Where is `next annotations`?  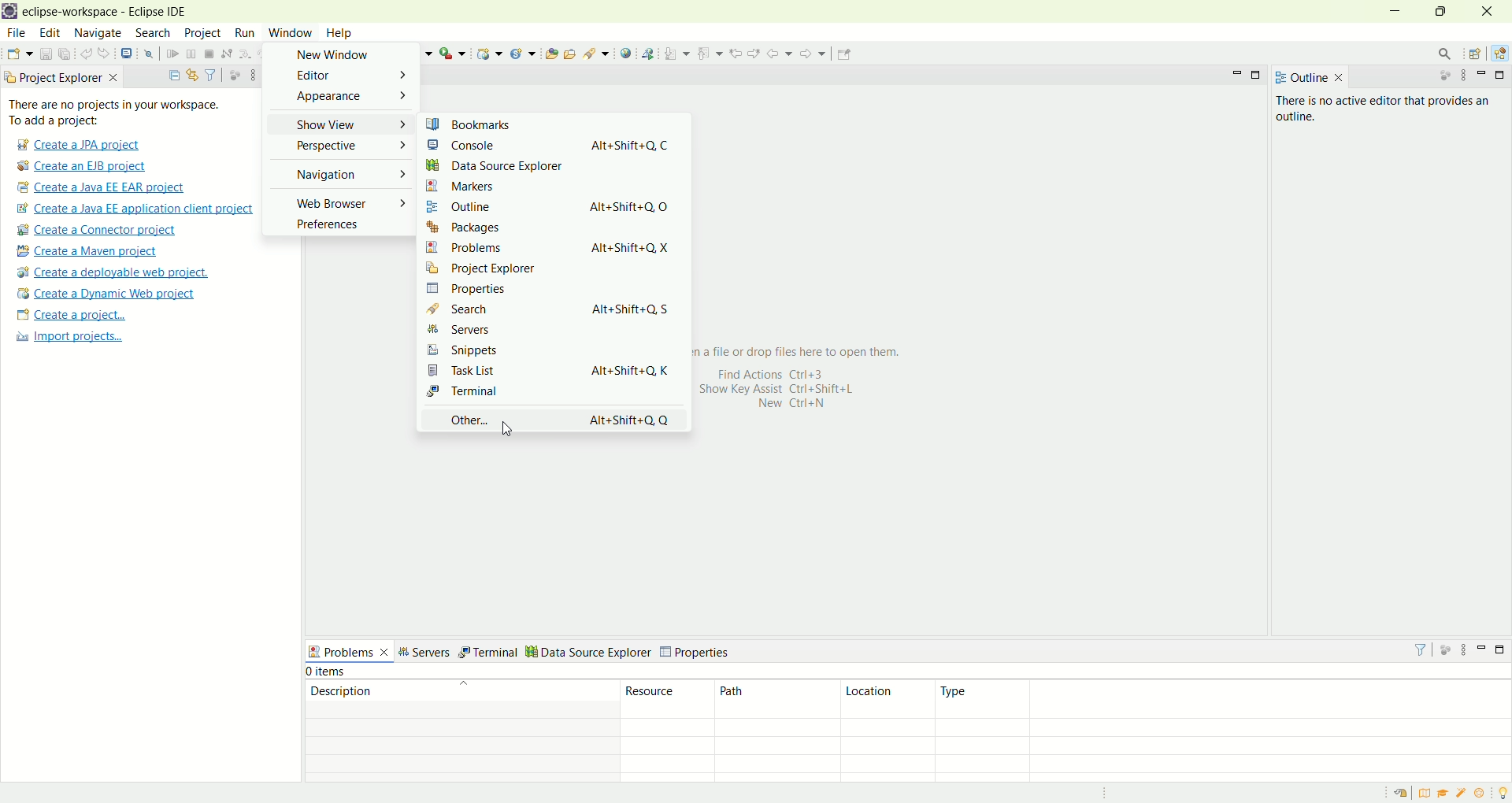 next annotations is located at coordinates (676, 53).